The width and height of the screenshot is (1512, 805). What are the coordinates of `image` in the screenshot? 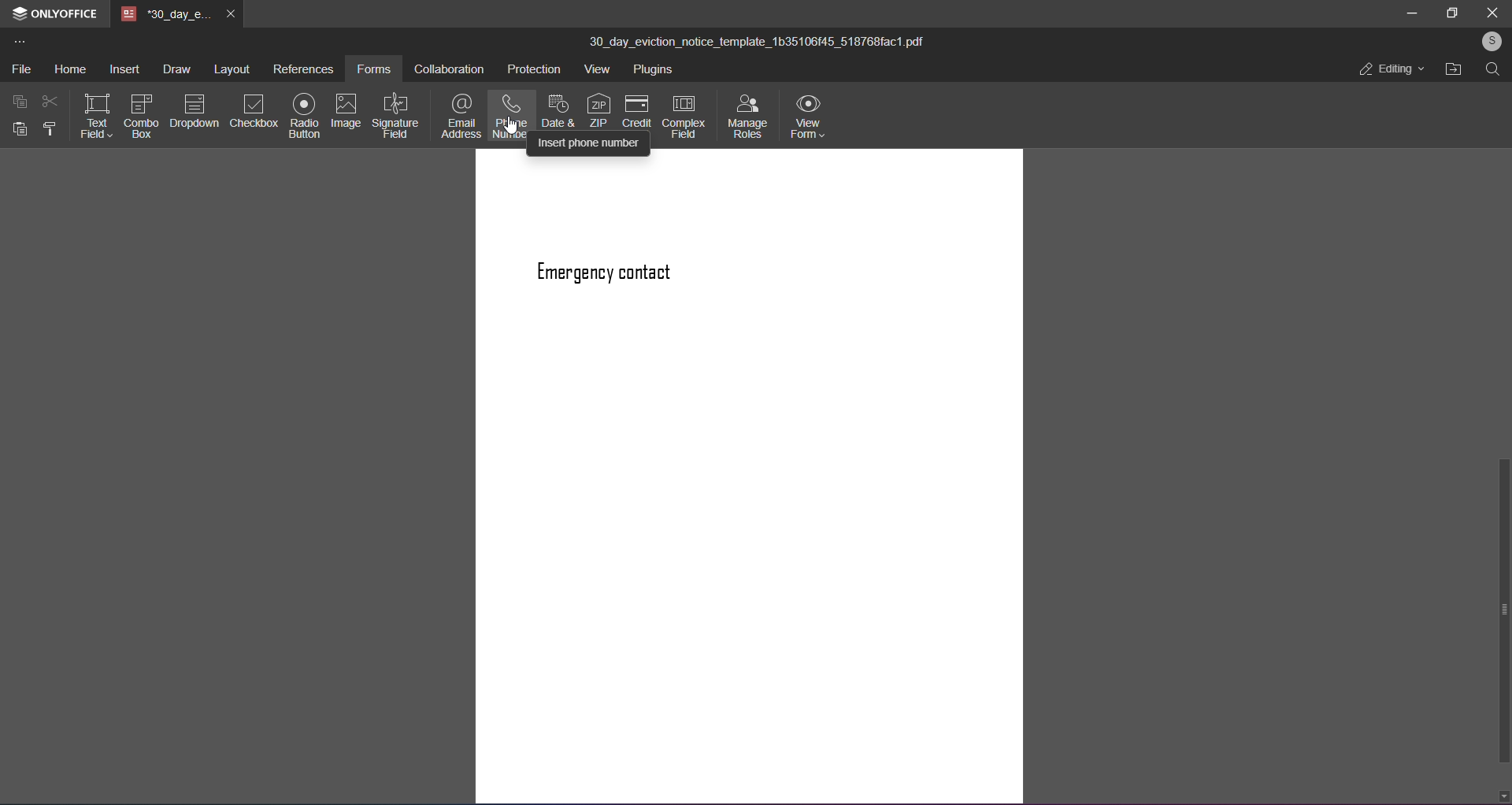 It's located at (348, 112).